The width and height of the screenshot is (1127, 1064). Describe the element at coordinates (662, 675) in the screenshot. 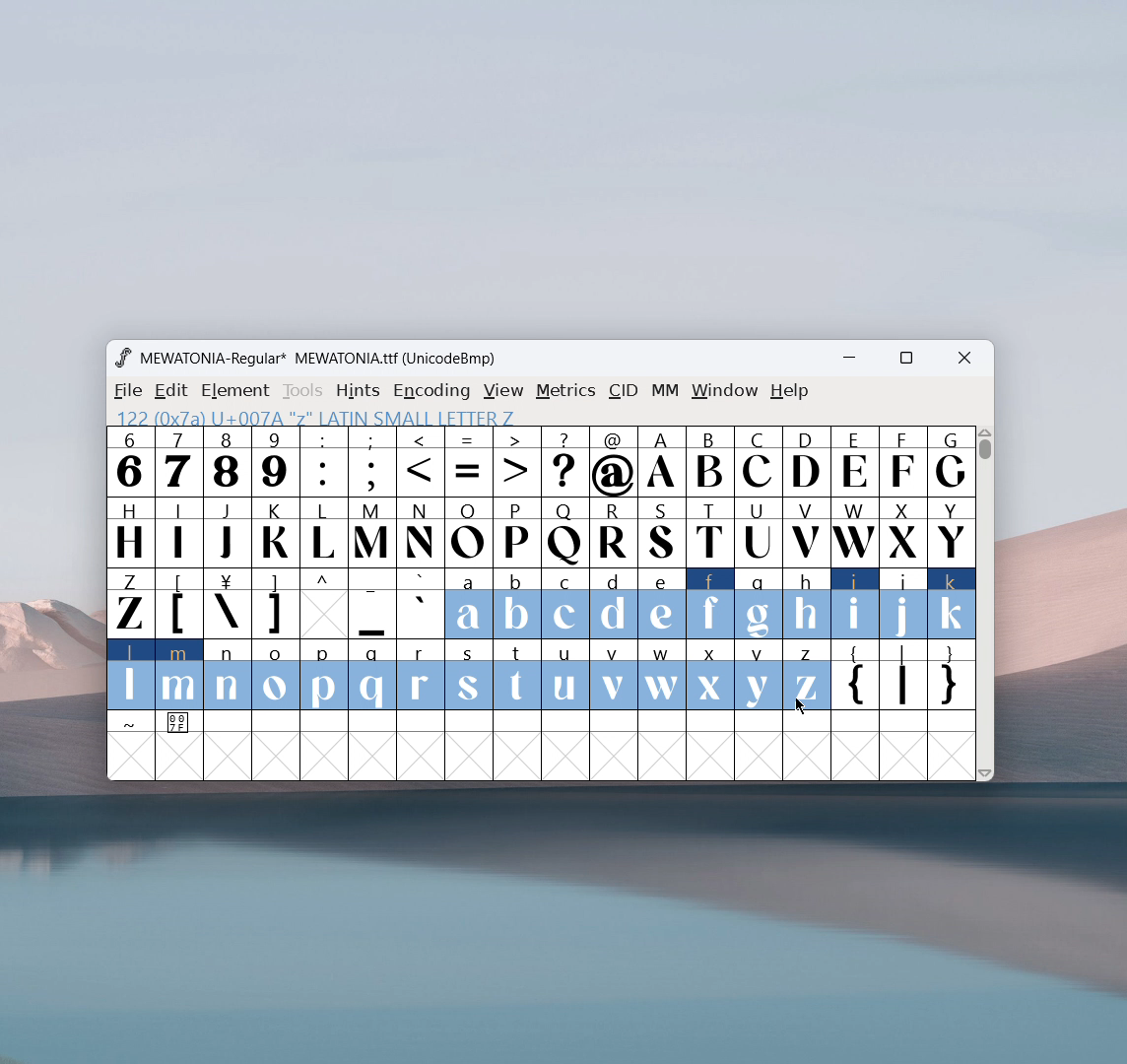

I see `w` at that location.